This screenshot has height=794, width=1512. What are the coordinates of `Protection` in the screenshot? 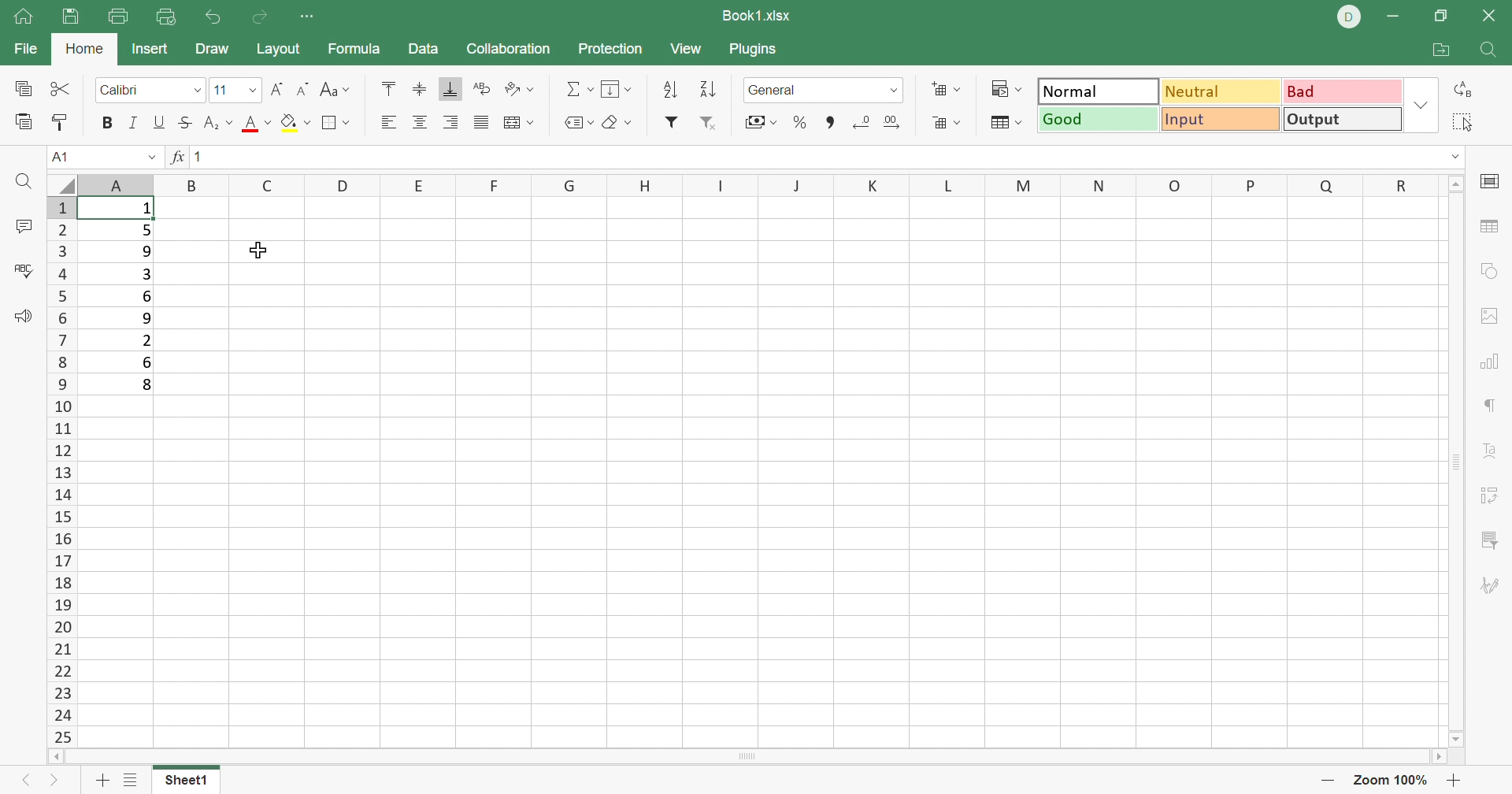 It's located at (613, 50).